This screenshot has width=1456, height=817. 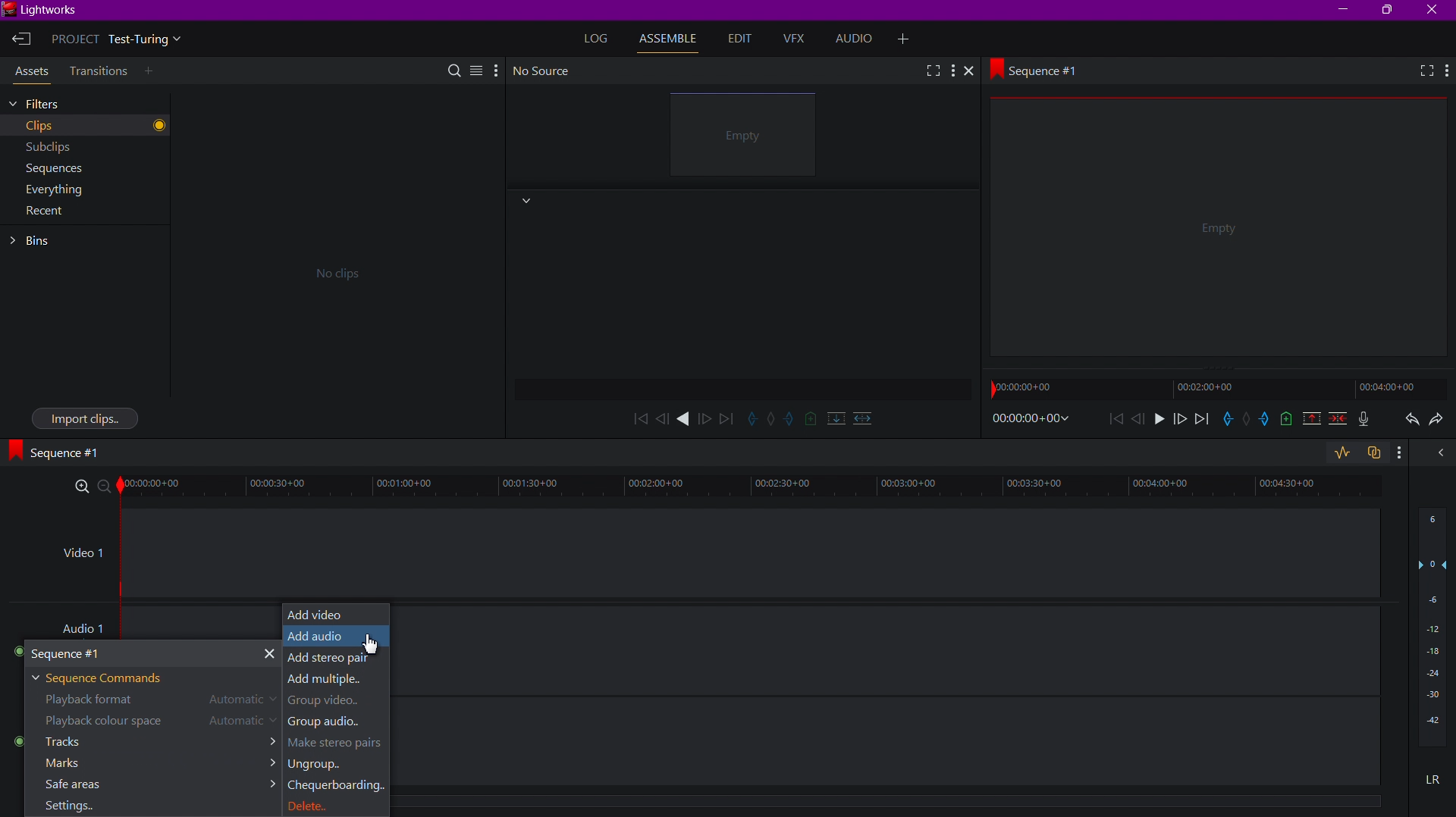 I want to click on Recent, so click(x=45, y=215).